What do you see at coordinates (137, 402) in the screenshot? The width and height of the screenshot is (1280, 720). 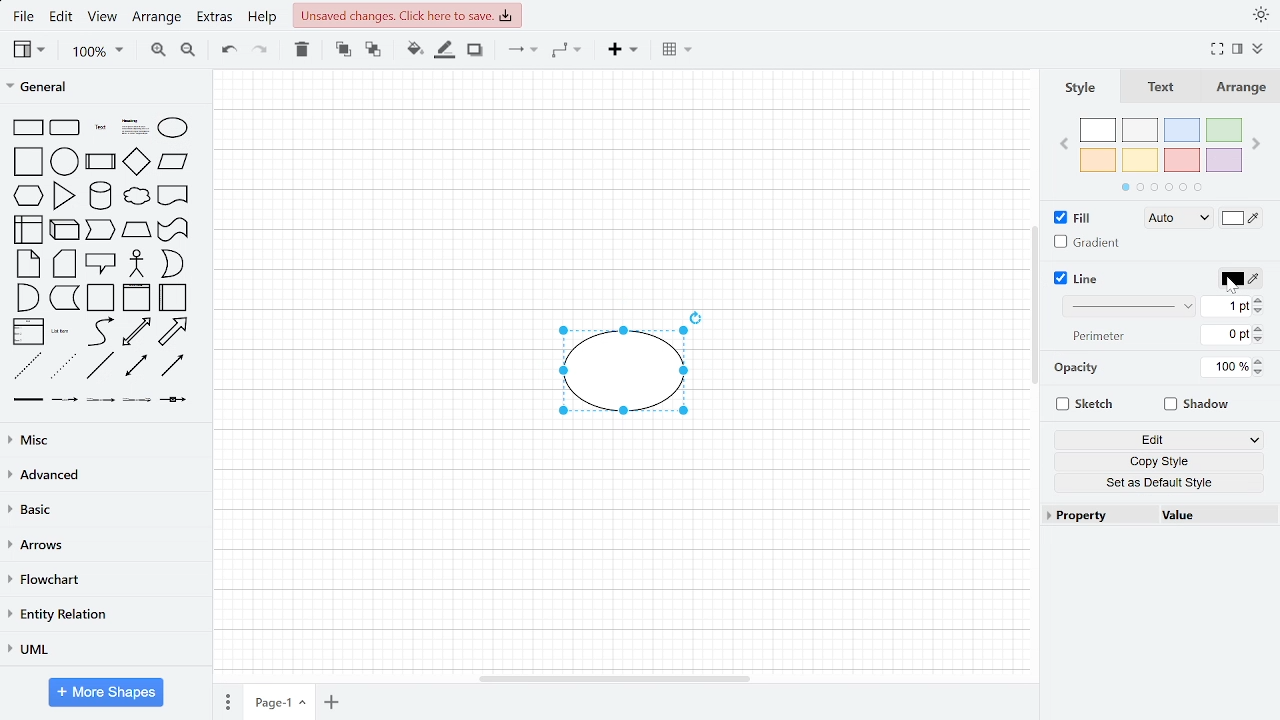 I see `connector with 3 label` at bounding box center [137, 402].